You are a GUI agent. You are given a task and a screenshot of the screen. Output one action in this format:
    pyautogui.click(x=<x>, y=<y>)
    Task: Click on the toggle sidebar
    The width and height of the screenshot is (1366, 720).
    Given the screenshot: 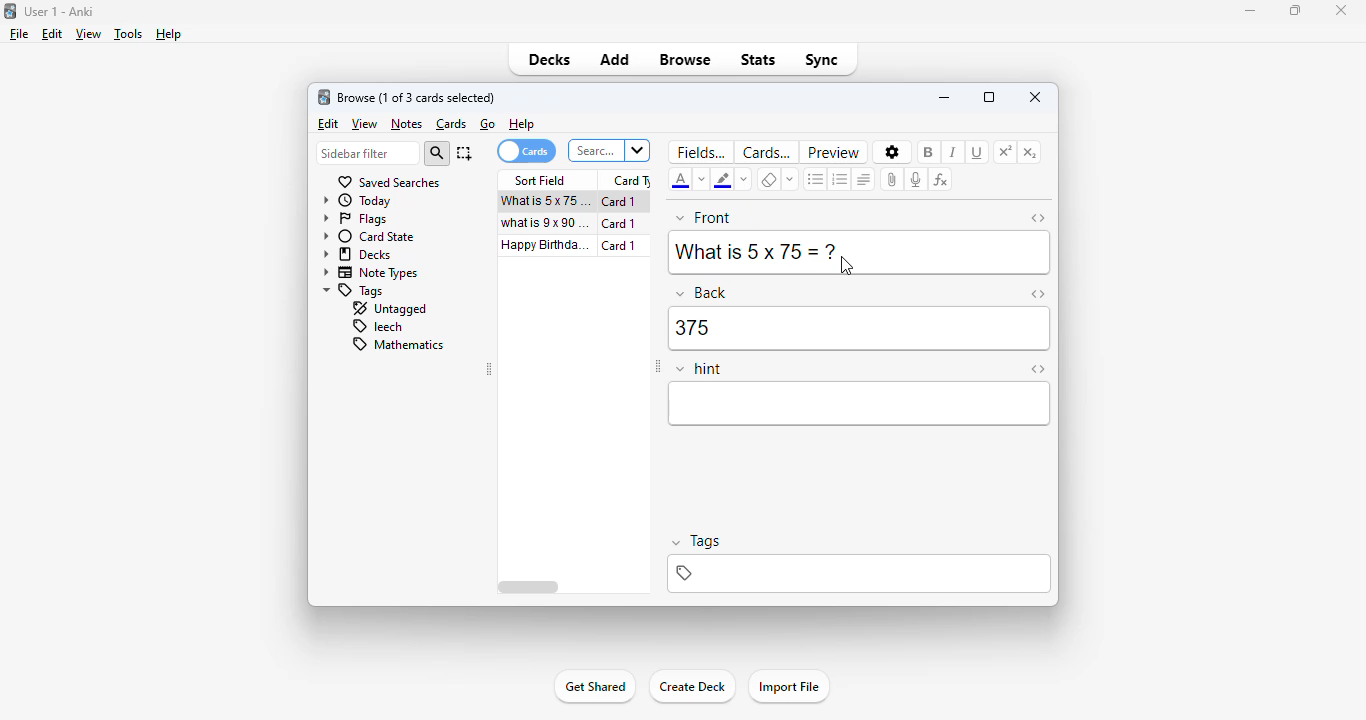 What is the action you would take?
    pyautogui.click(x=488, y=368)
    